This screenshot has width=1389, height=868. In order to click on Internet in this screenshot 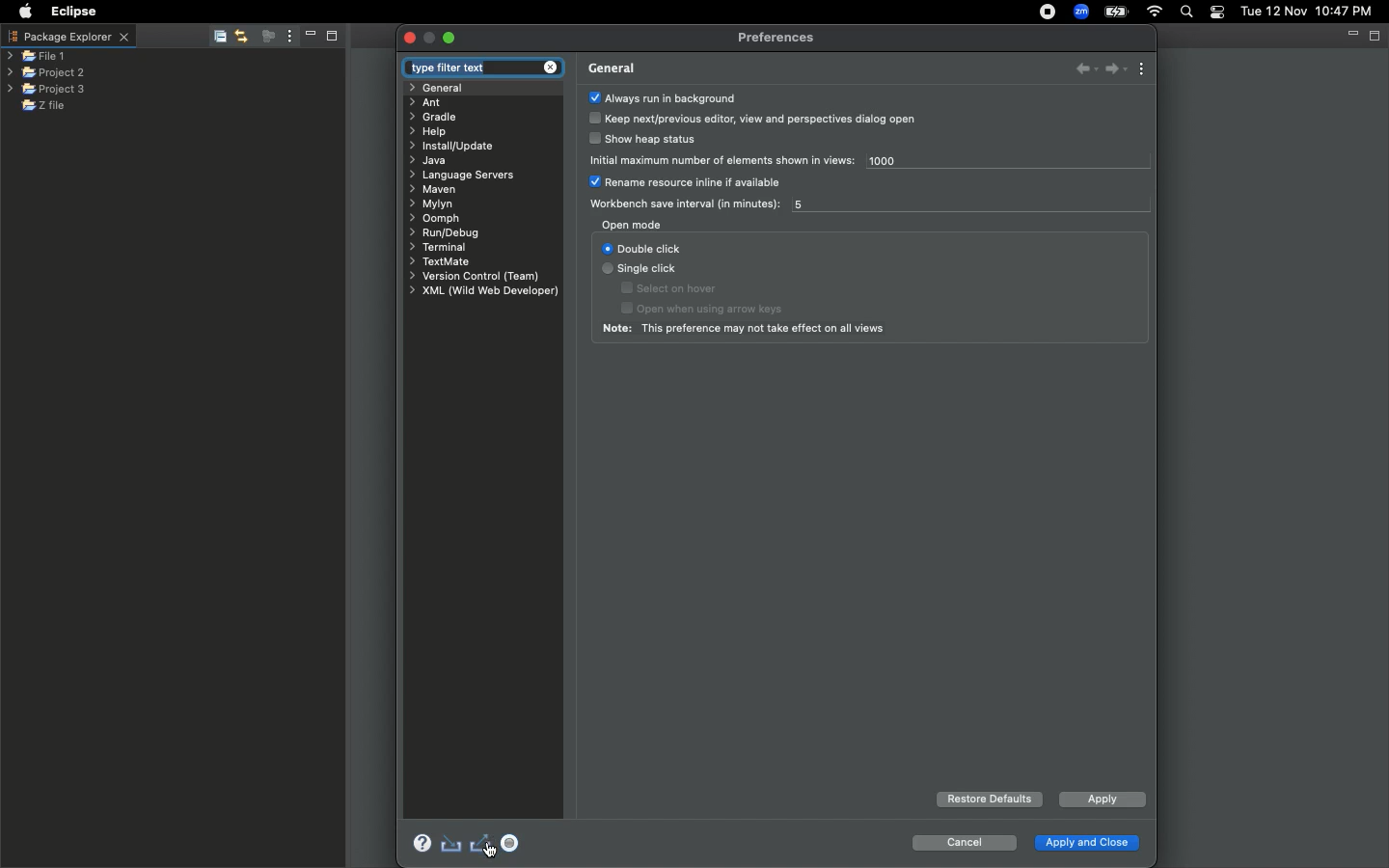, I will do `click(1157, 12)`.